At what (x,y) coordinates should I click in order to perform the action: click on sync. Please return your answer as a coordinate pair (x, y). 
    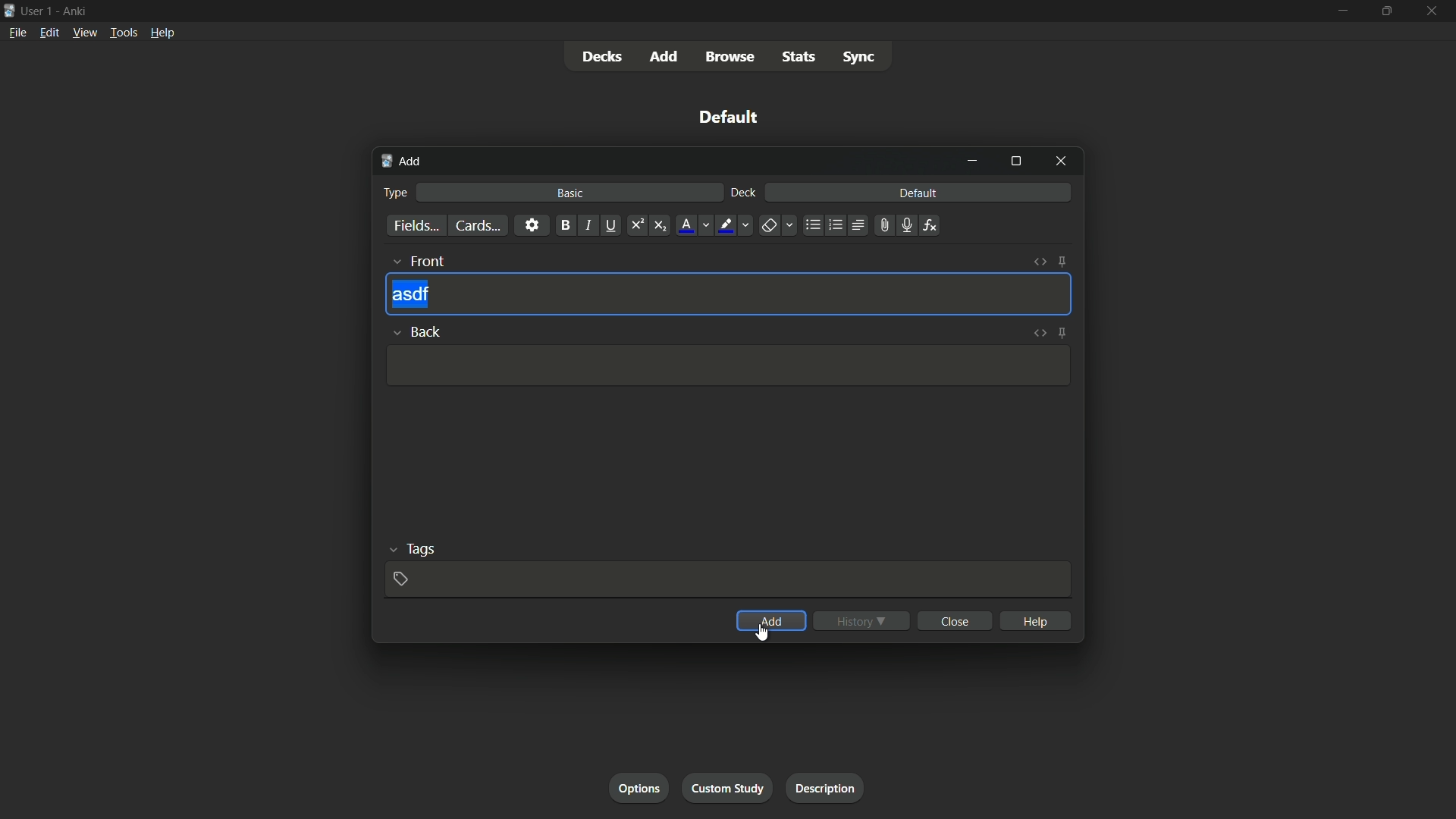
    Looking at the image, I should click on (859, 57).